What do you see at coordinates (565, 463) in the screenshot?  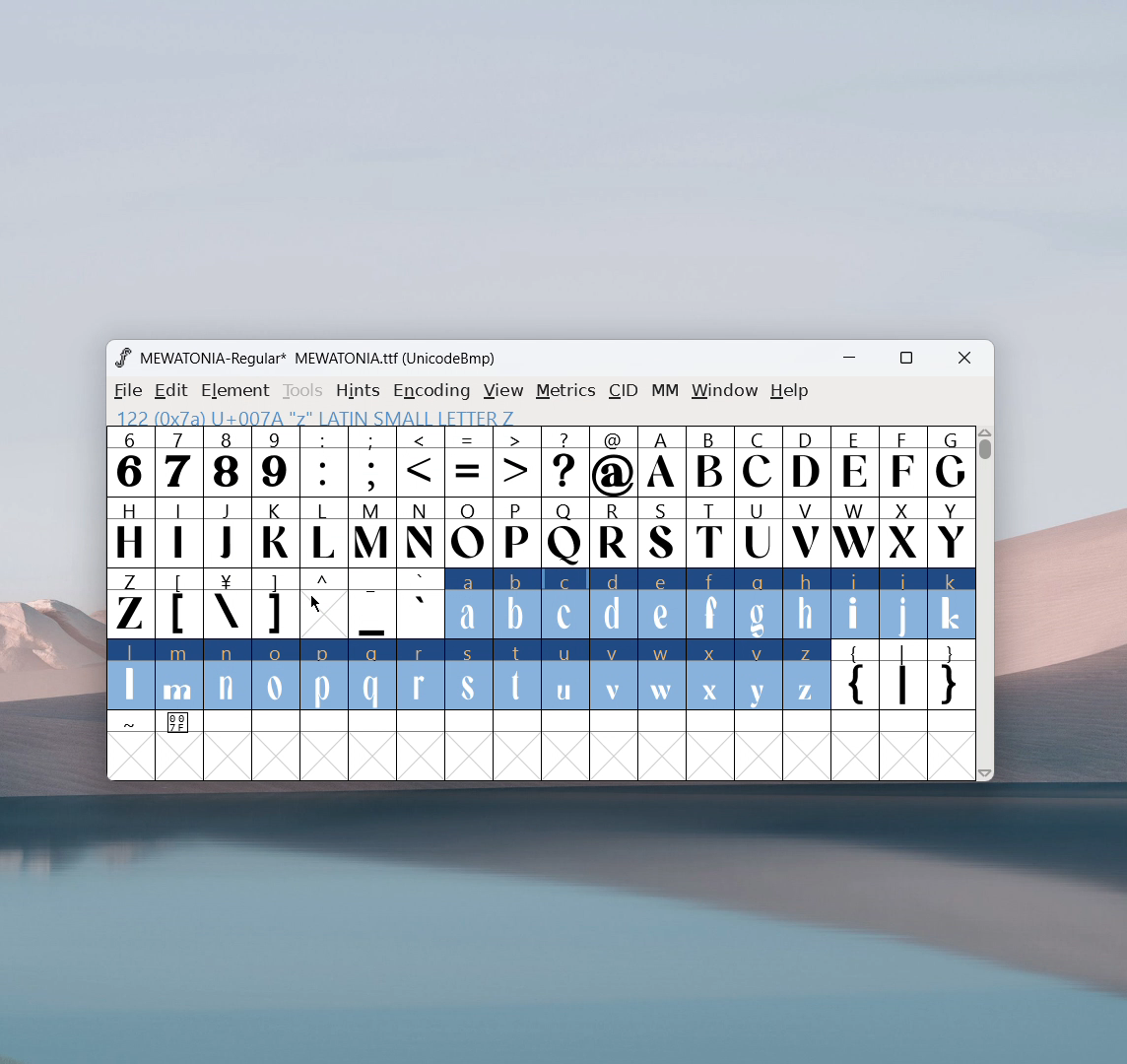 I see `?` at bounding box center [565, 463].